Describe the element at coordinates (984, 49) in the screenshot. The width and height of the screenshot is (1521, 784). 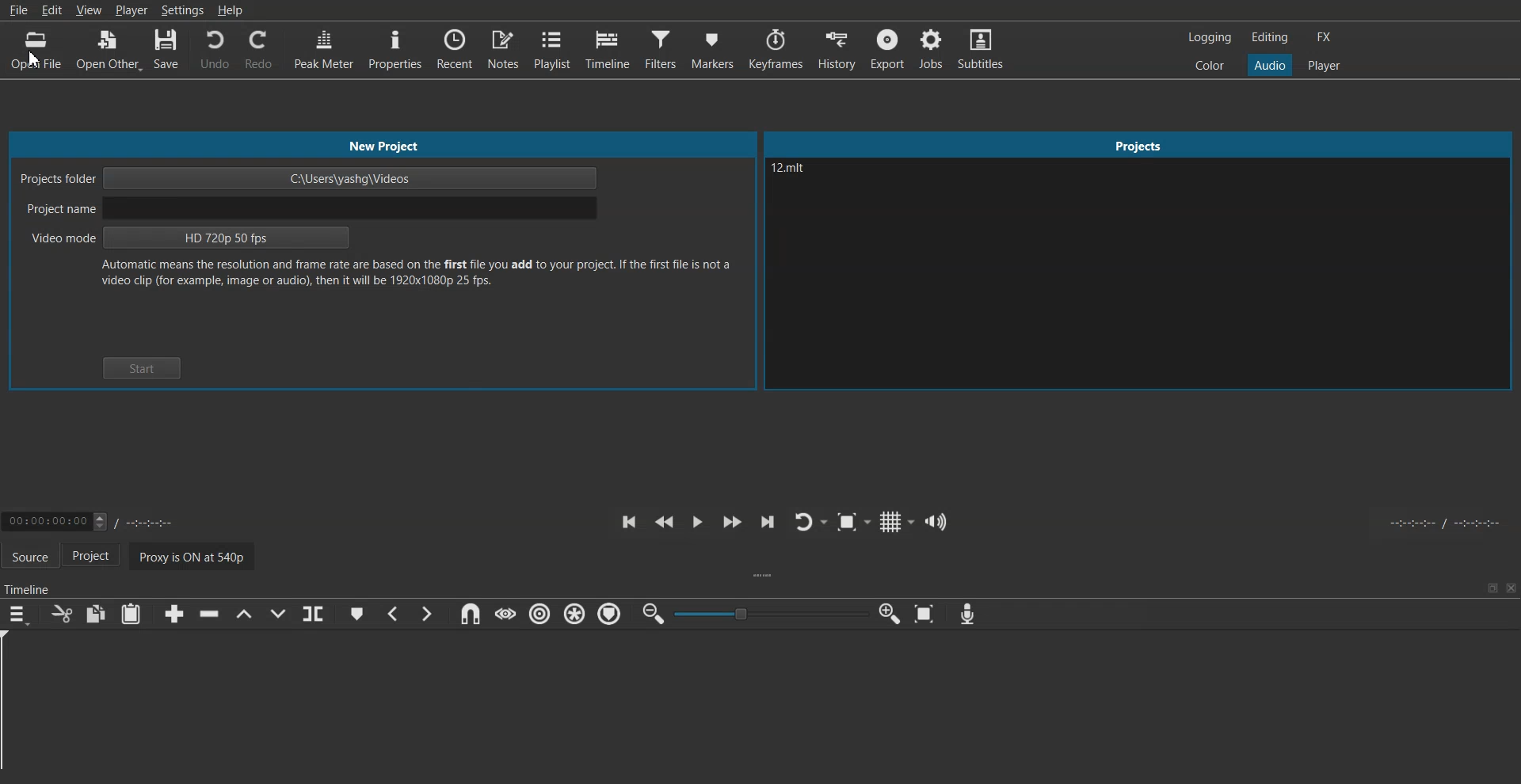
I see `Subtitles` at that location.